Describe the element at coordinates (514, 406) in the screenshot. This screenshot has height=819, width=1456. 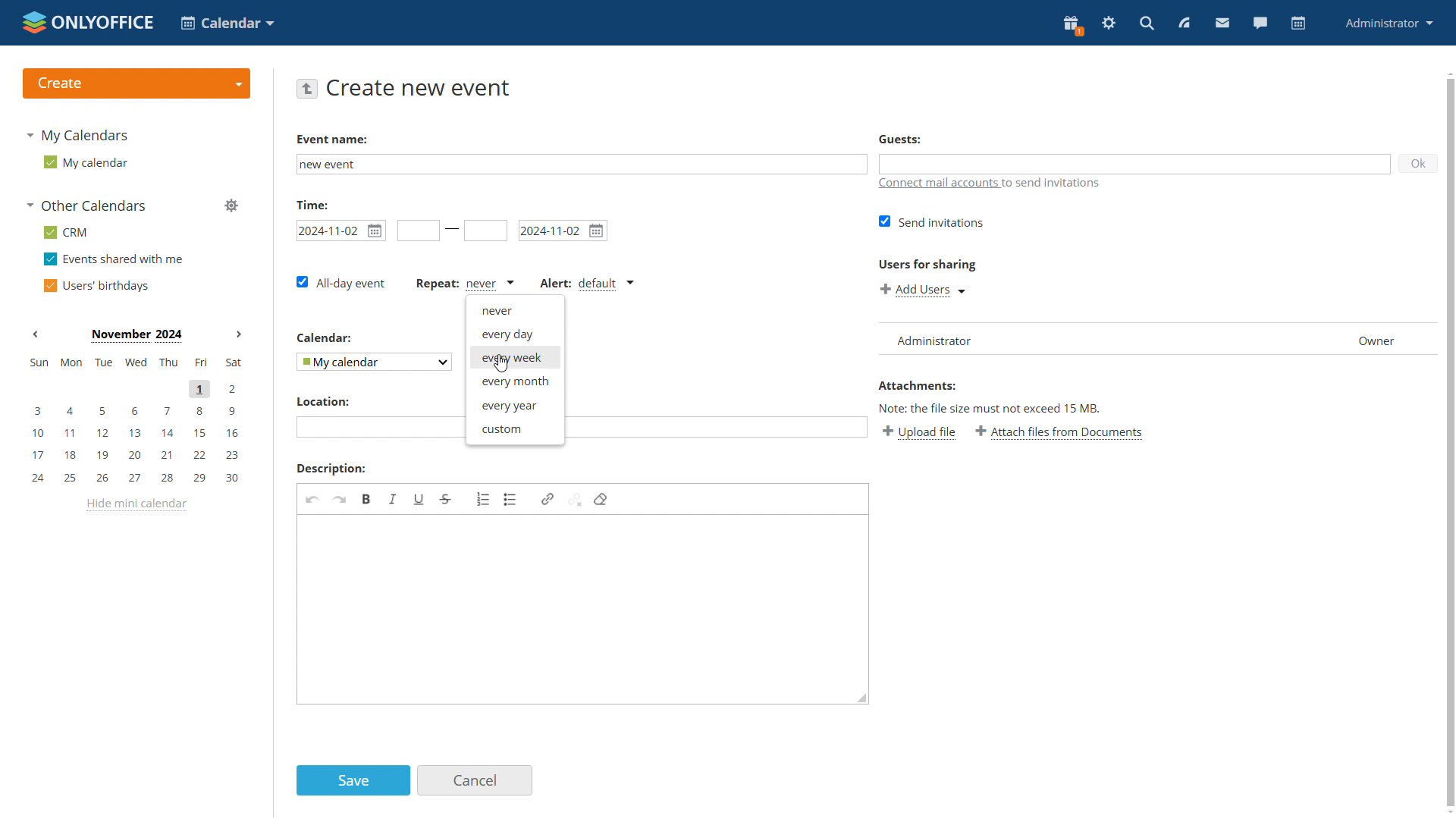
I see `every year` at that location.